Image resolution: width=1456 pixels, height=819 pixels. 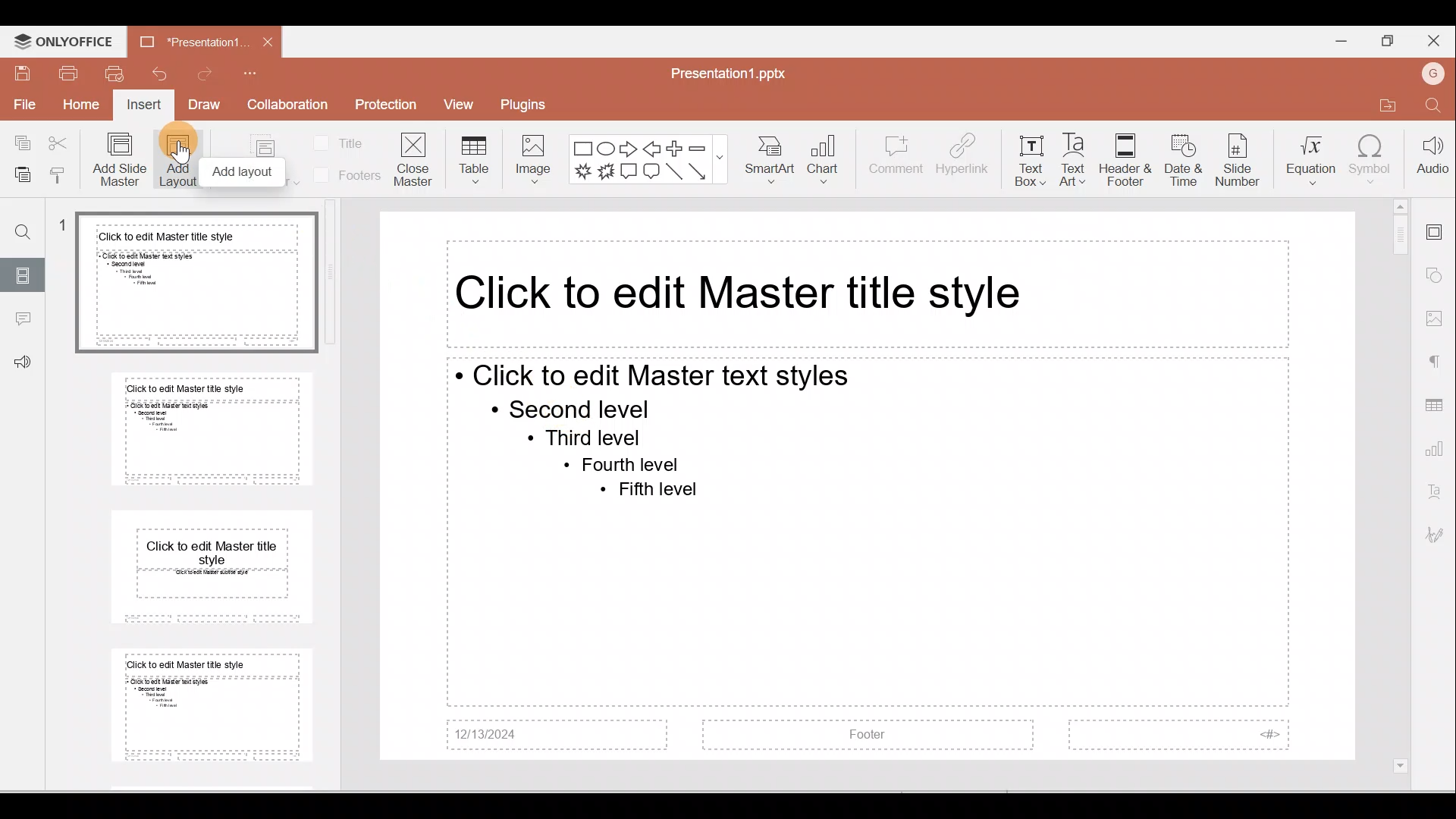 I want to click on Comment, so click(x=23, y=318).